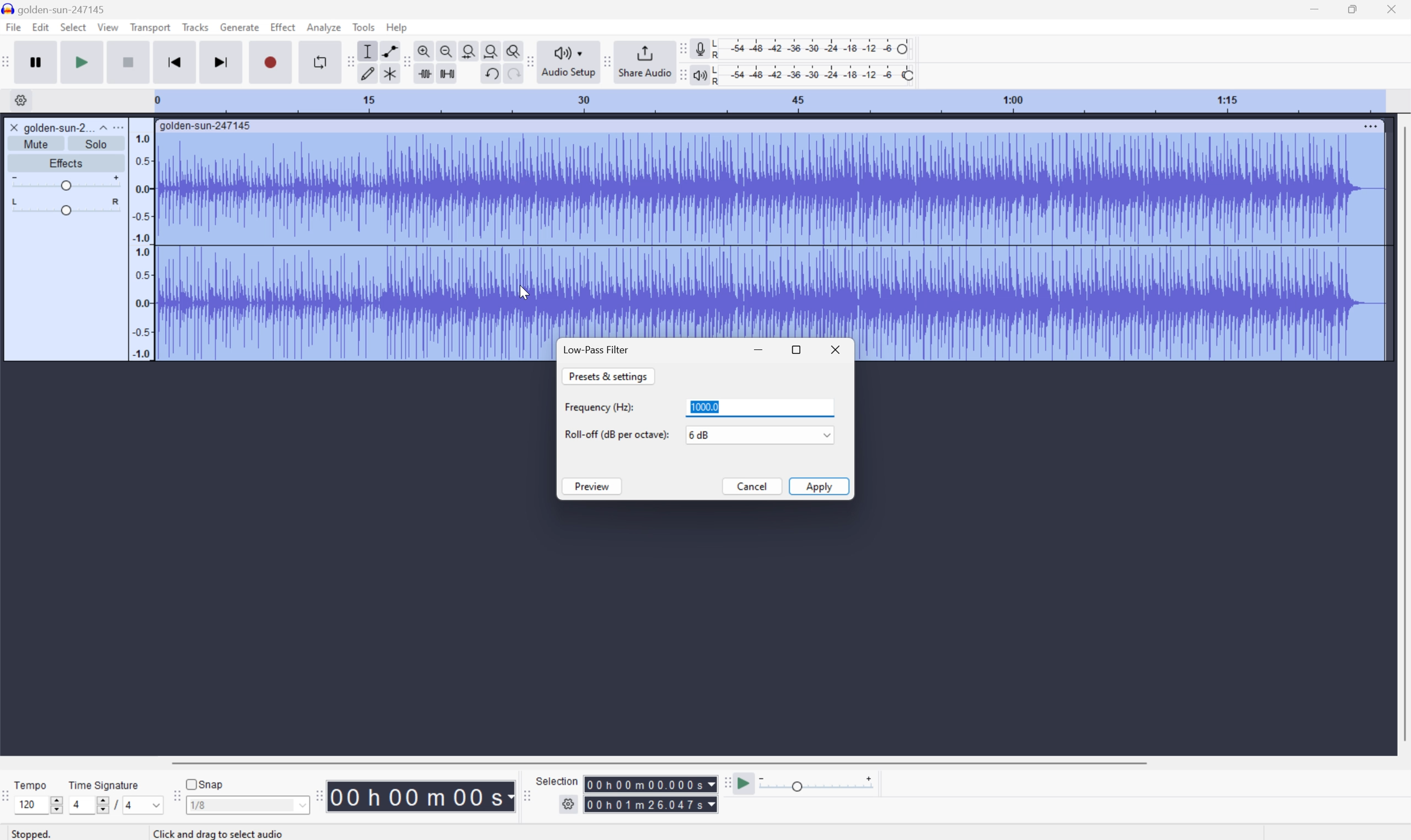  What do you see at coordinates (813, 49) in the screenshot?
I see `Recording level: 62%` at bounding box center [813, 49].